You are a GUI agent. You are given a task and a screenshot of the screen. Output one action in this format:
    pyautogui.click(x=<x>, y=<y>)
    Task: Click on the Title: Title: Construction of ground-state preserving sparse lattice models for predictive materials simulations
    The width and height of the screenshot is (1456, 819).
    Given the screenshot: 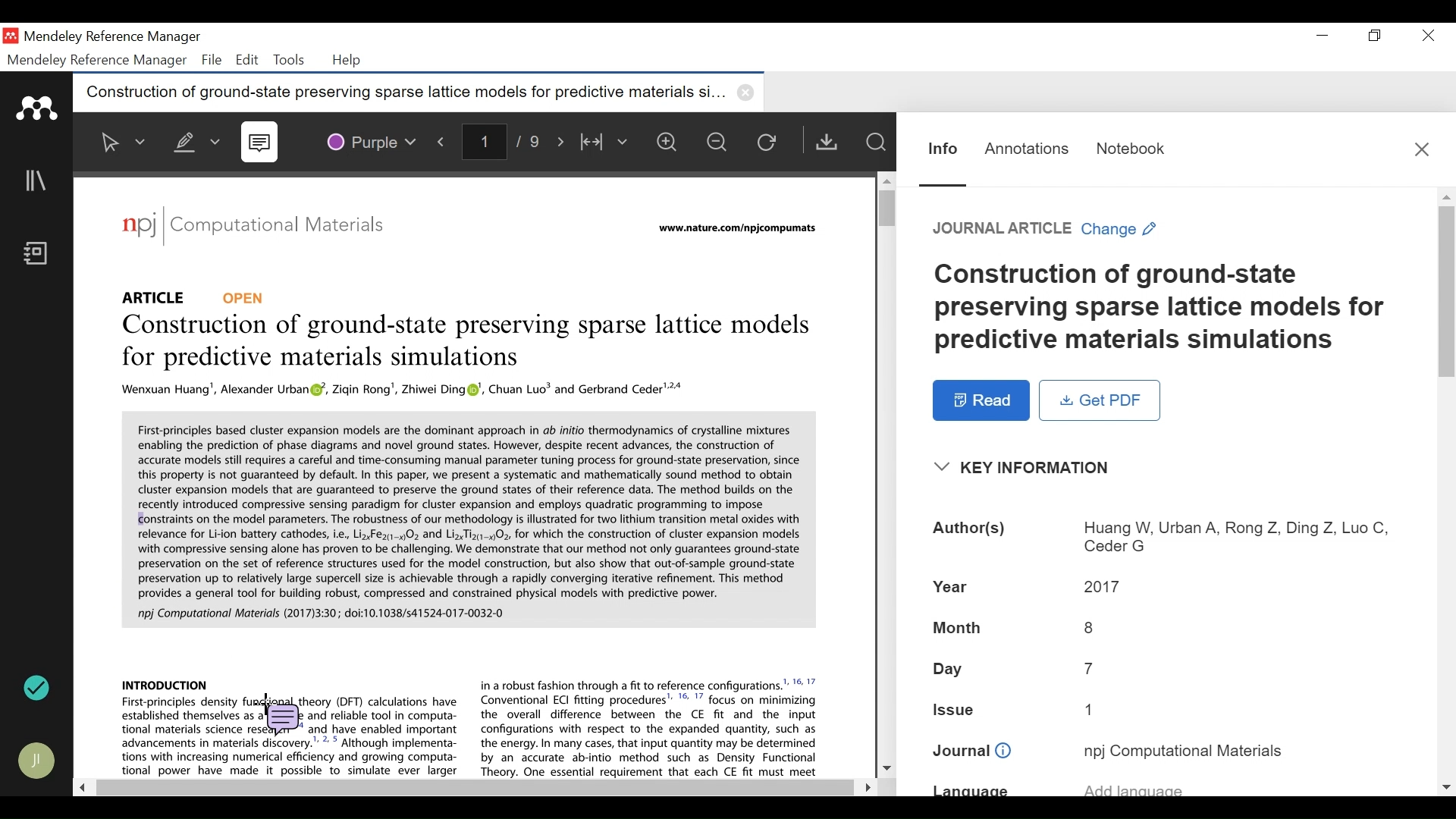 What is the action you would take?
    pyautogui.click(x=1168, y=309)
    